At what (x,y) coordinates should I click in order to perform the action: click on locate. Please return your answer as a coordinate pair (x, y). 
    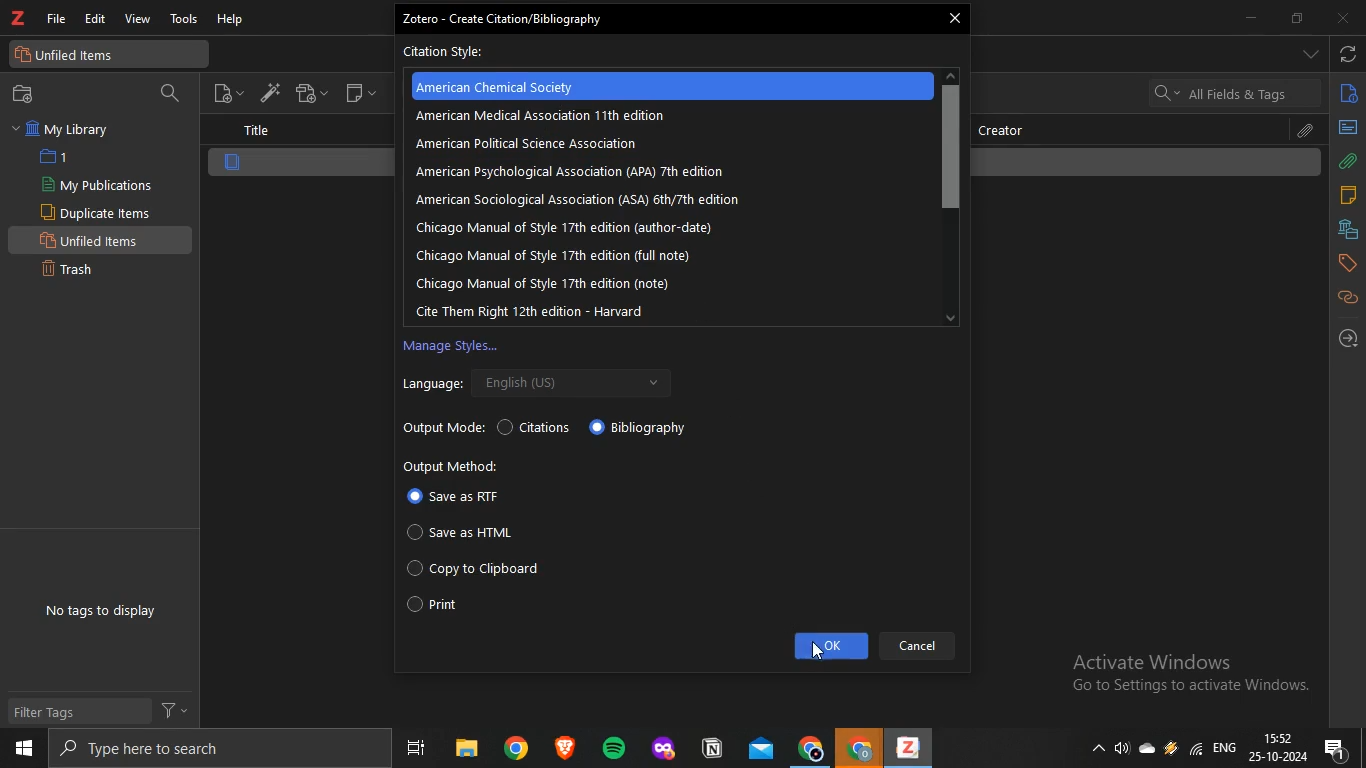
    Looking at the image, I should click on (1347, 338).